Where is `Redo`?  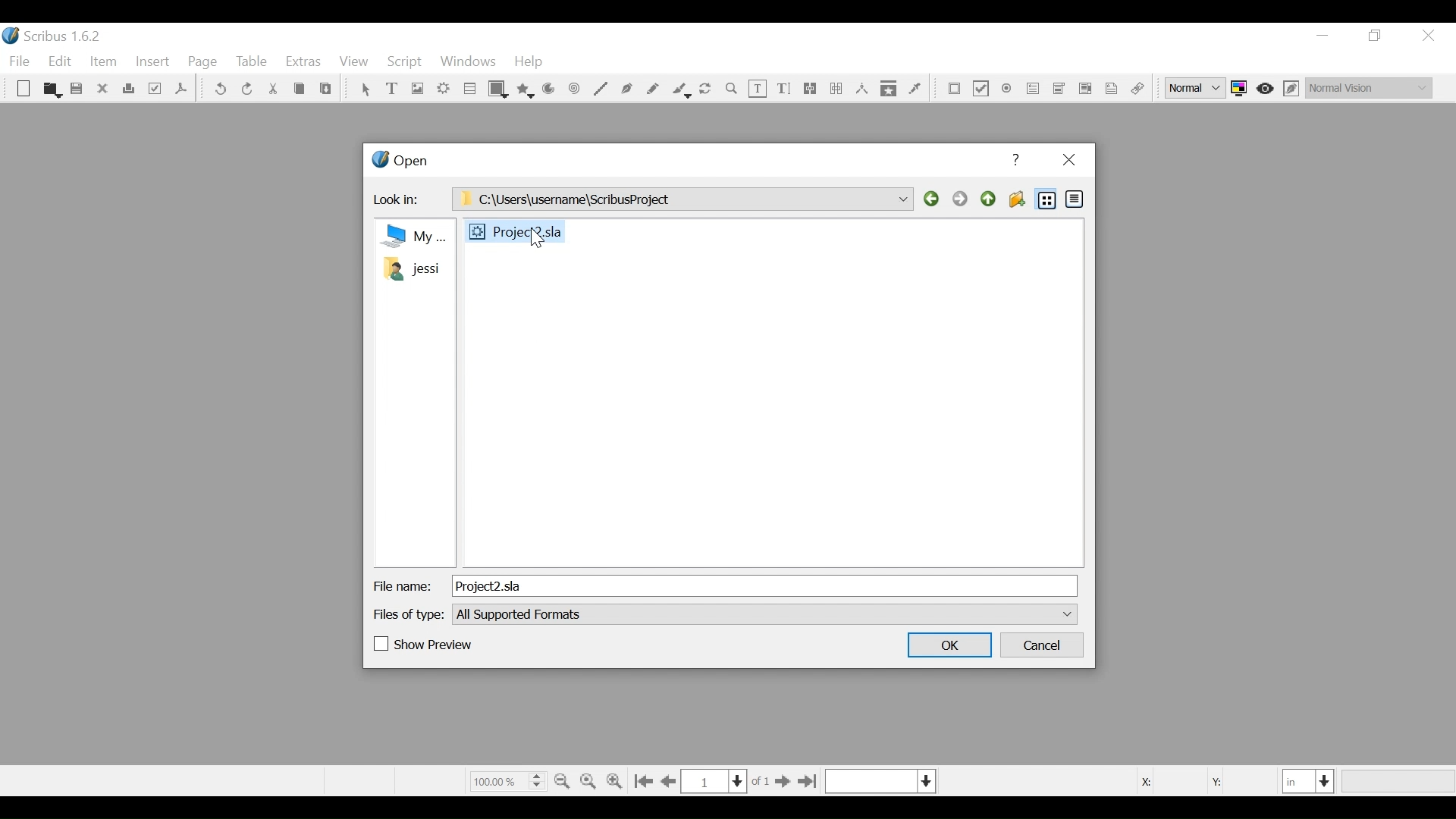 Redo is located at coordinates (246, 88).